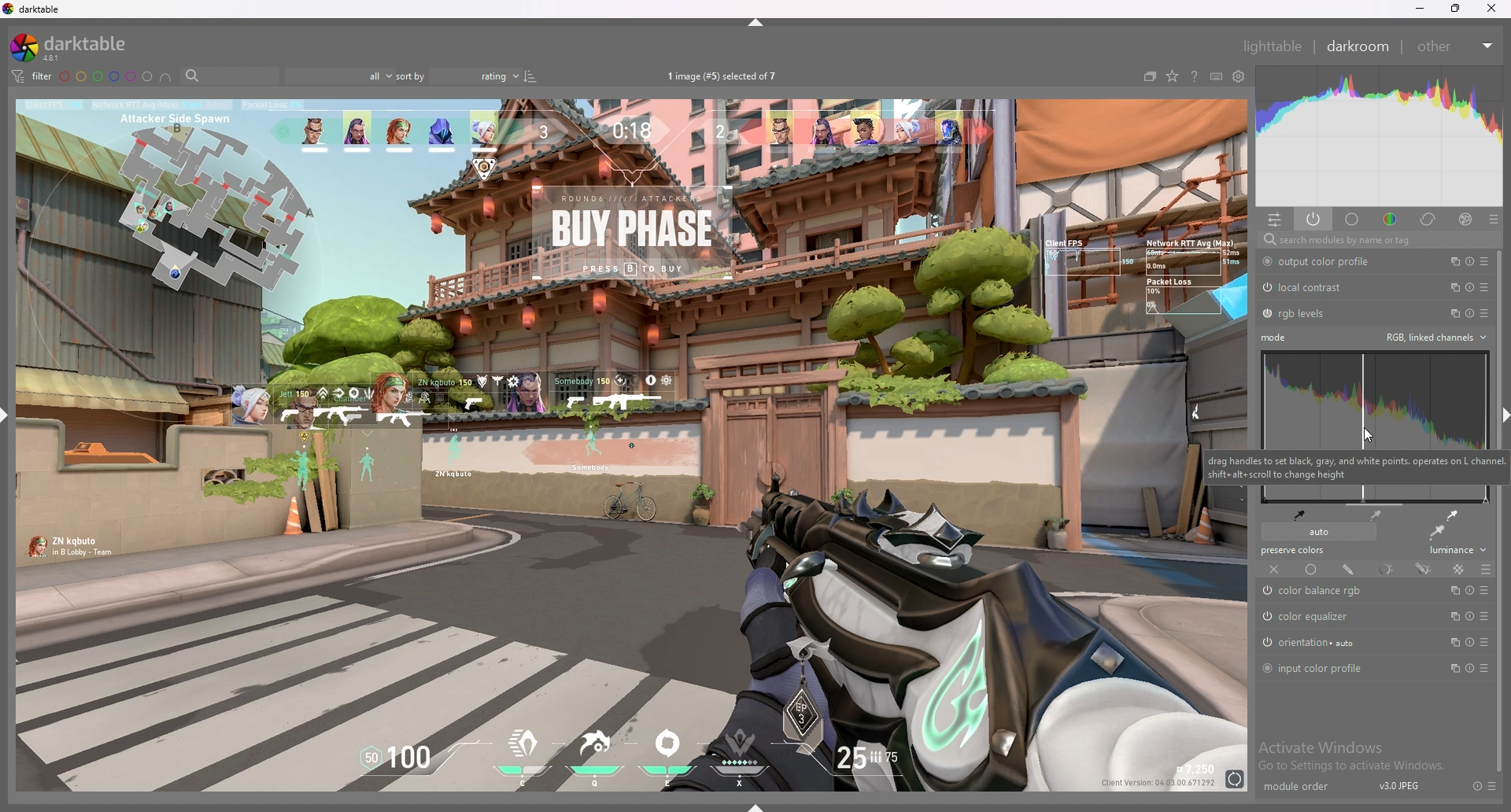  What do you see at coordinates (1266, 617) in the screenshot?
I see `switched on` at bounding box center [1266, 617].